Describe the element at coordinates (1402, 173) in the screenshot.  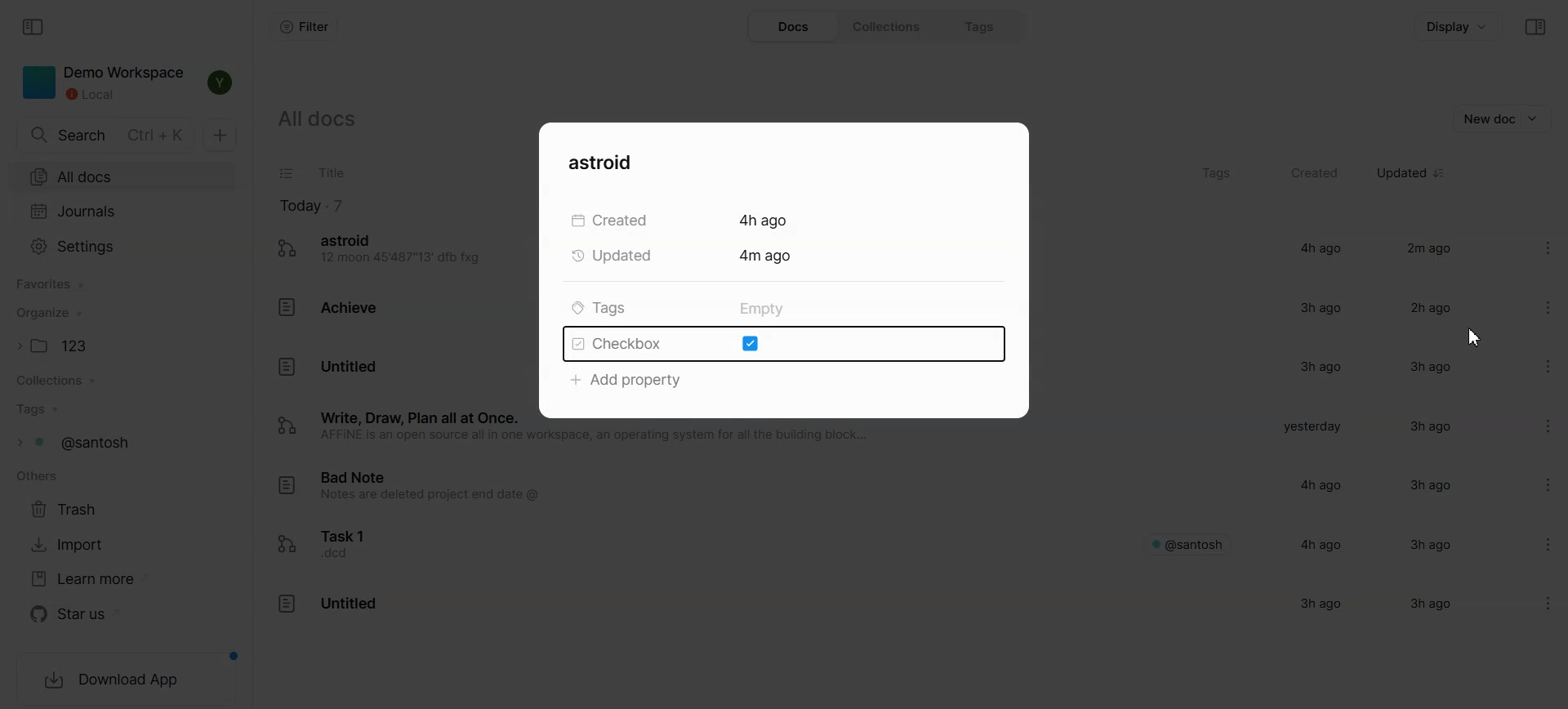
I see `Updated` at that location.